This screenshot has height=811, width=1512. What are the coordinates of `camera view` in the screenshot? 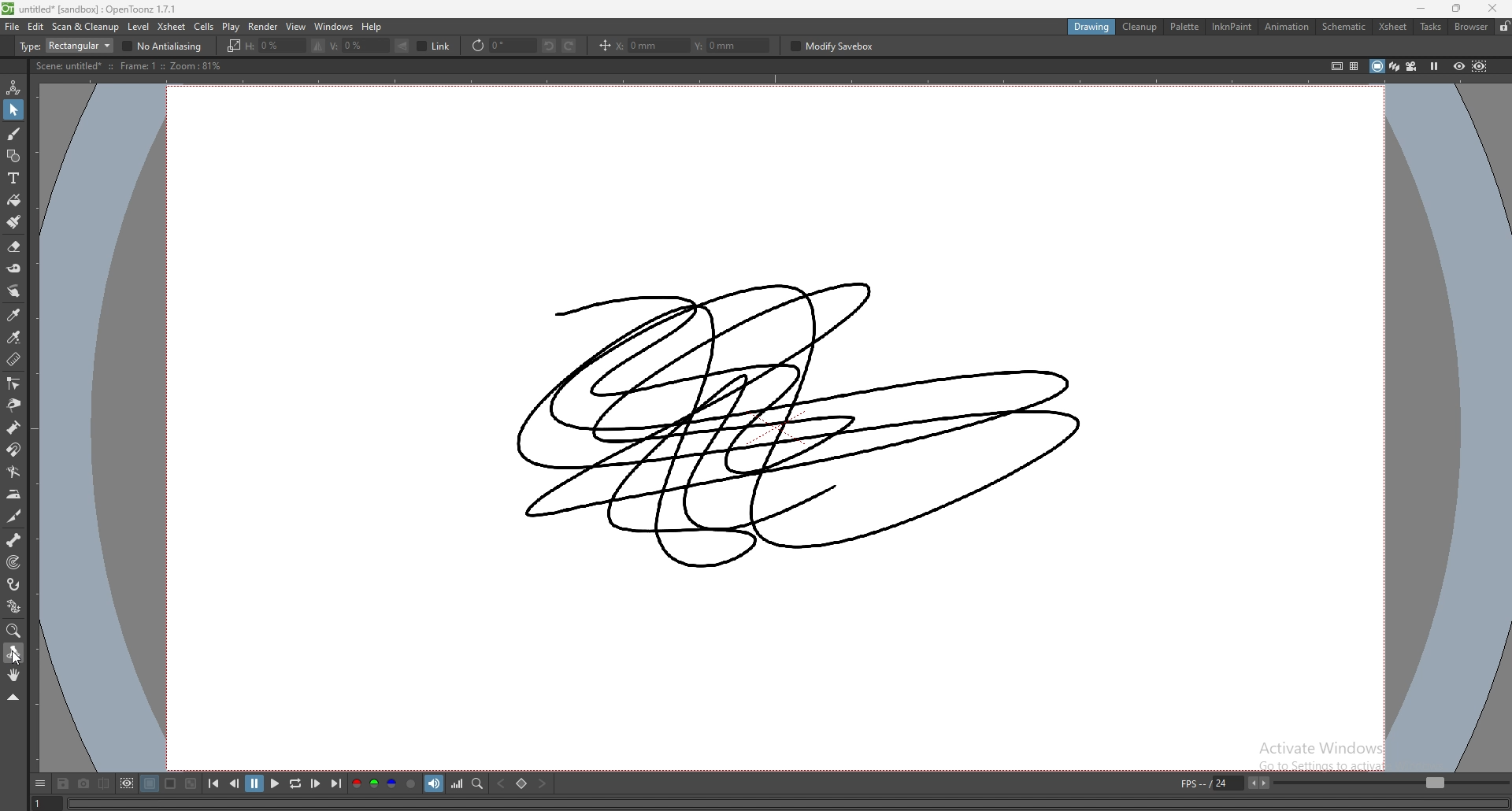 It's located at (1412, 67).